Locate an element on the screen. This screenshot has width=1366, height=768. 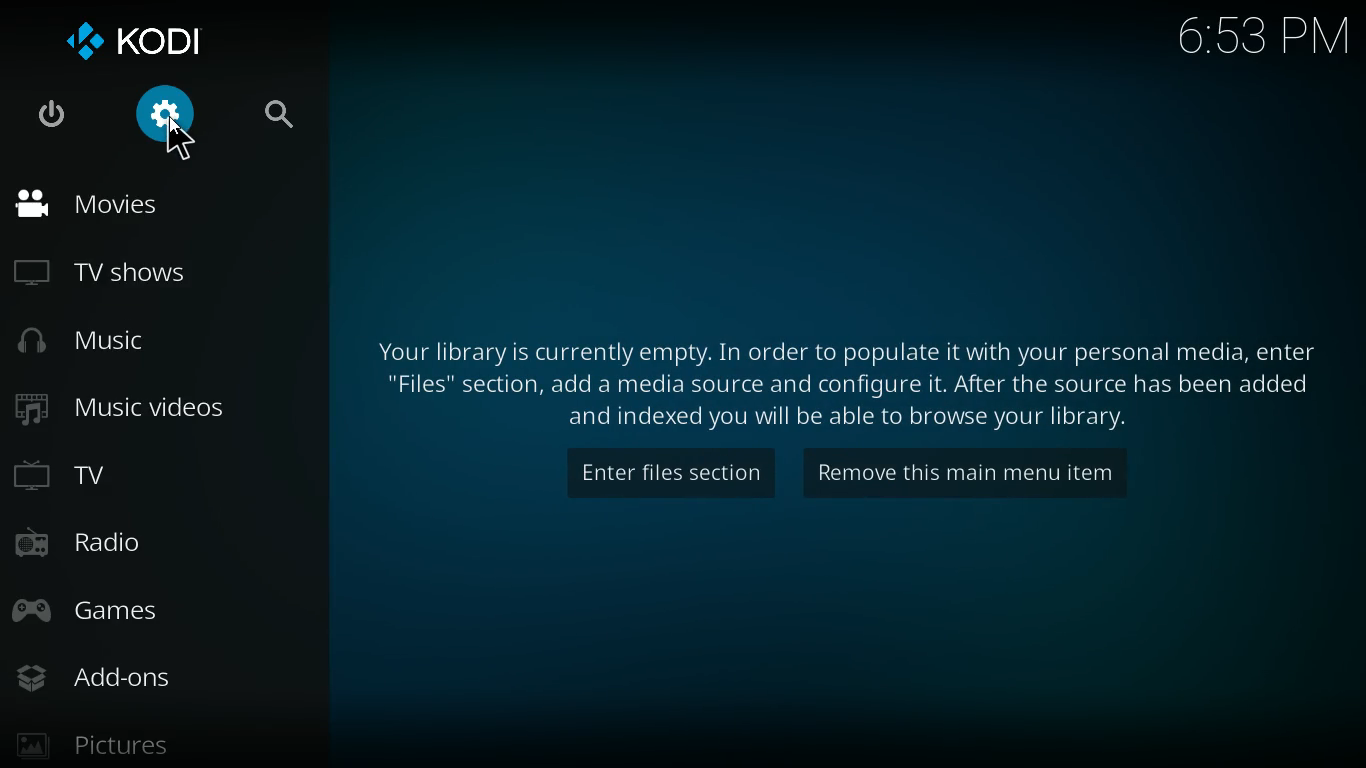
tv is located at coordinates (125, 478).